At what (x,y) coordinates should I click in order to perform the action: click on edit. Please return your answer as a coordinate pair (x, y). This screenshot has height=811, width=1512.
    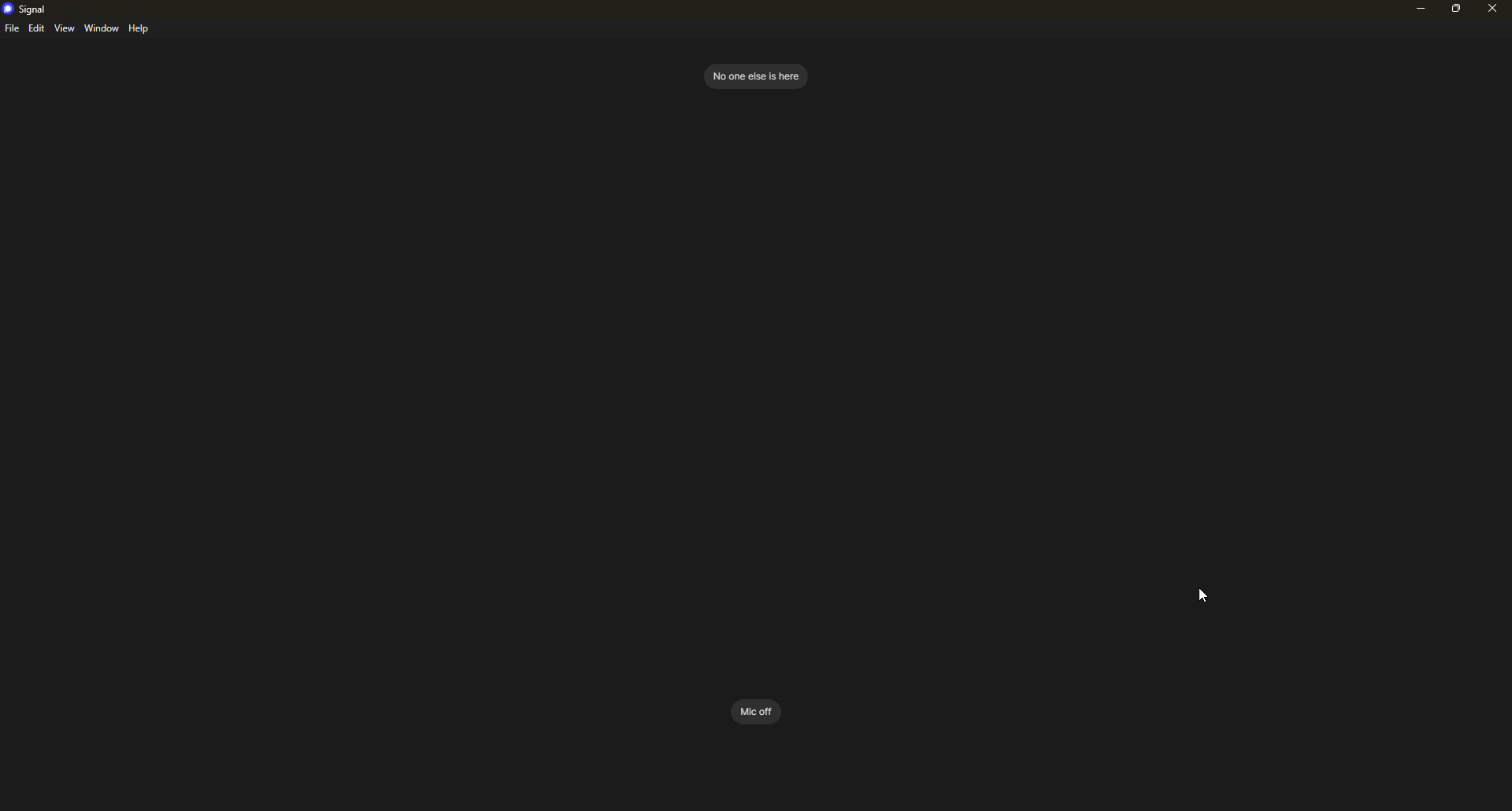
    Looking at the image, I should click on (36, 29).